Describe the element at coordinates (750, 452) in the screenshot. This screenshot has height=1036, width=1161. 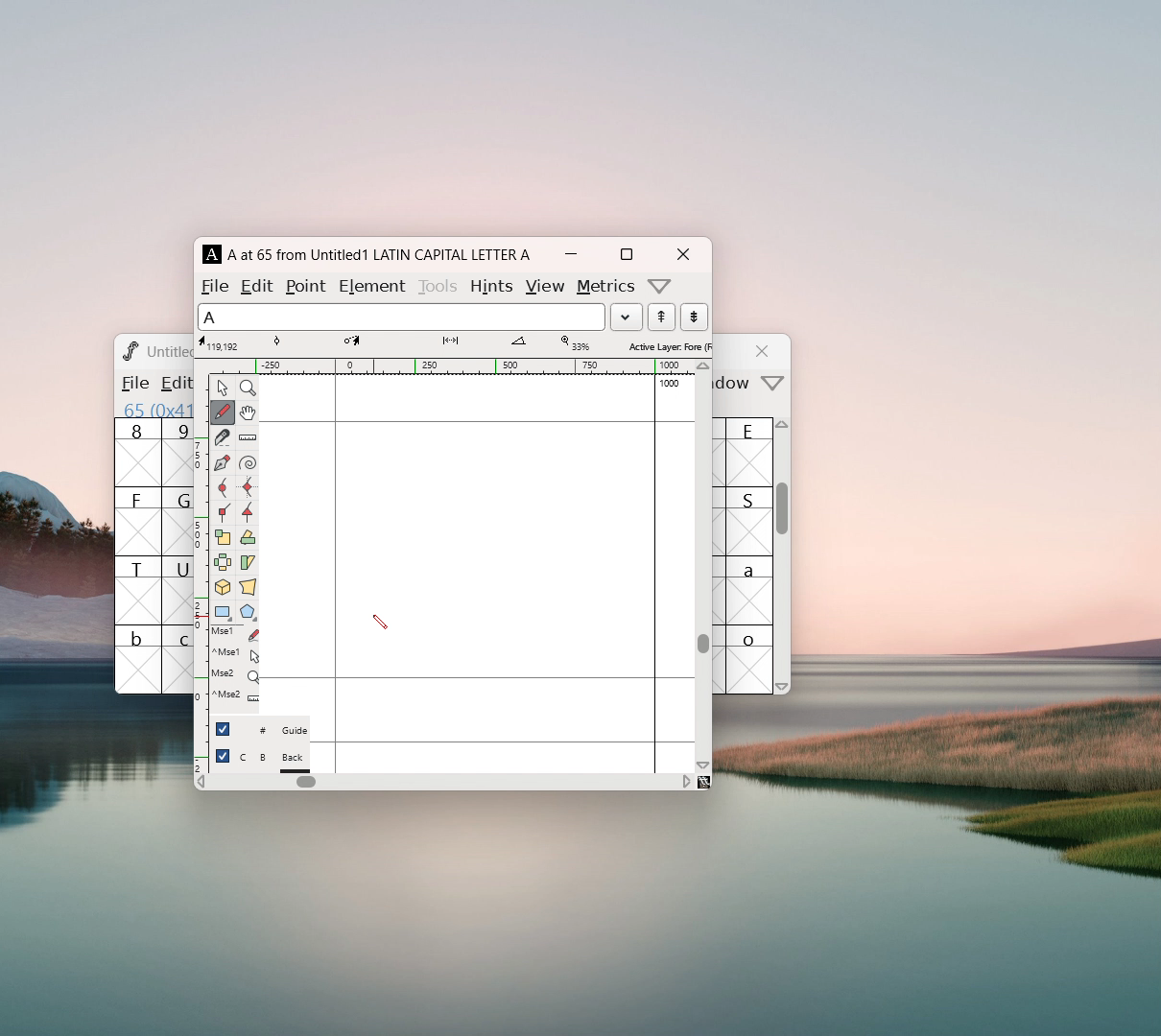
I see `E` at that location.